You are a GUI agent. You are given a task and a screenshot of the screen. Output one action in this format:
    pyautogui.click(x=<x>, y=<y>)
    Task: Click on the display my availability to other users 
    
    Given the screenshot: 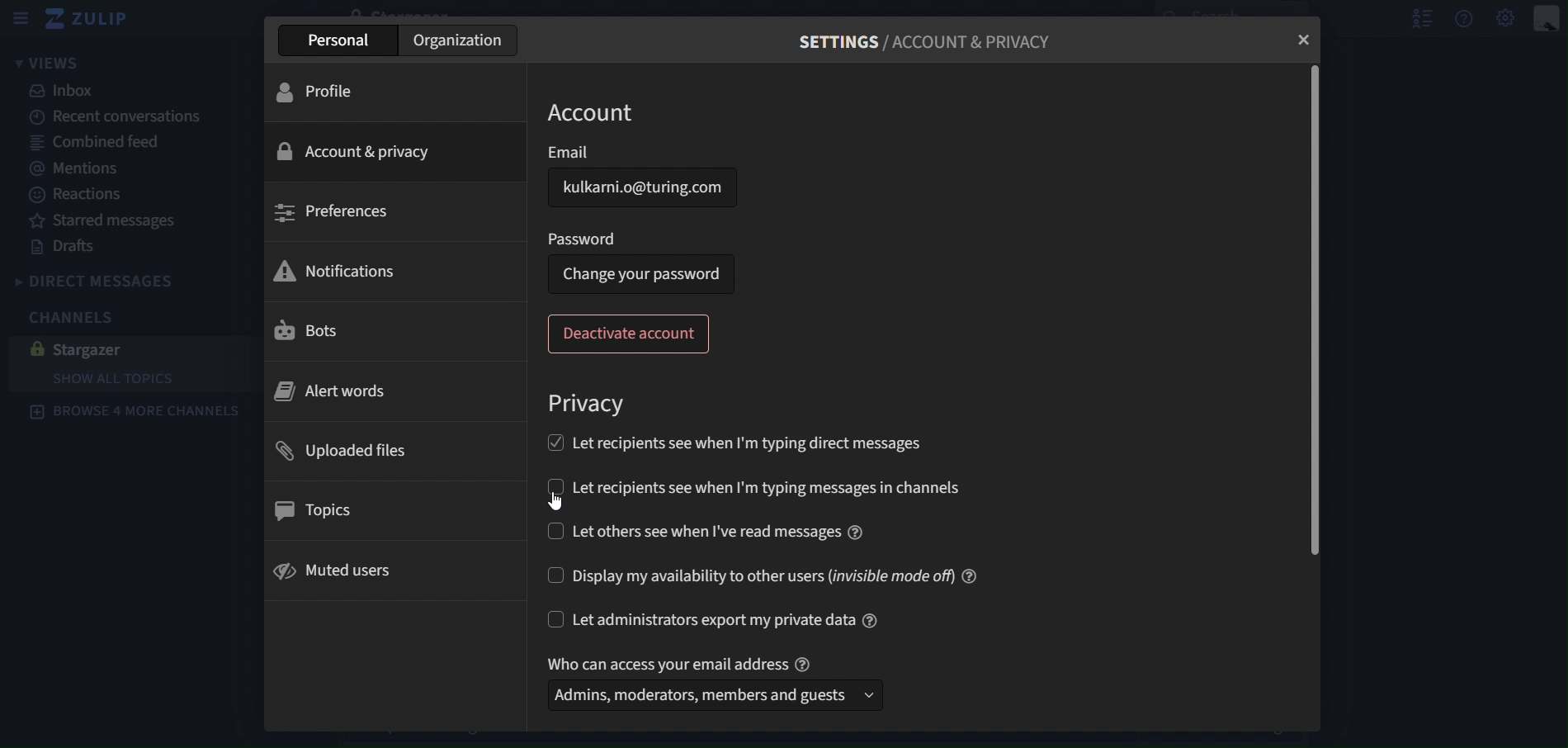 What is the action you would take?
    pyautogui.click(x=758, y=576)
    